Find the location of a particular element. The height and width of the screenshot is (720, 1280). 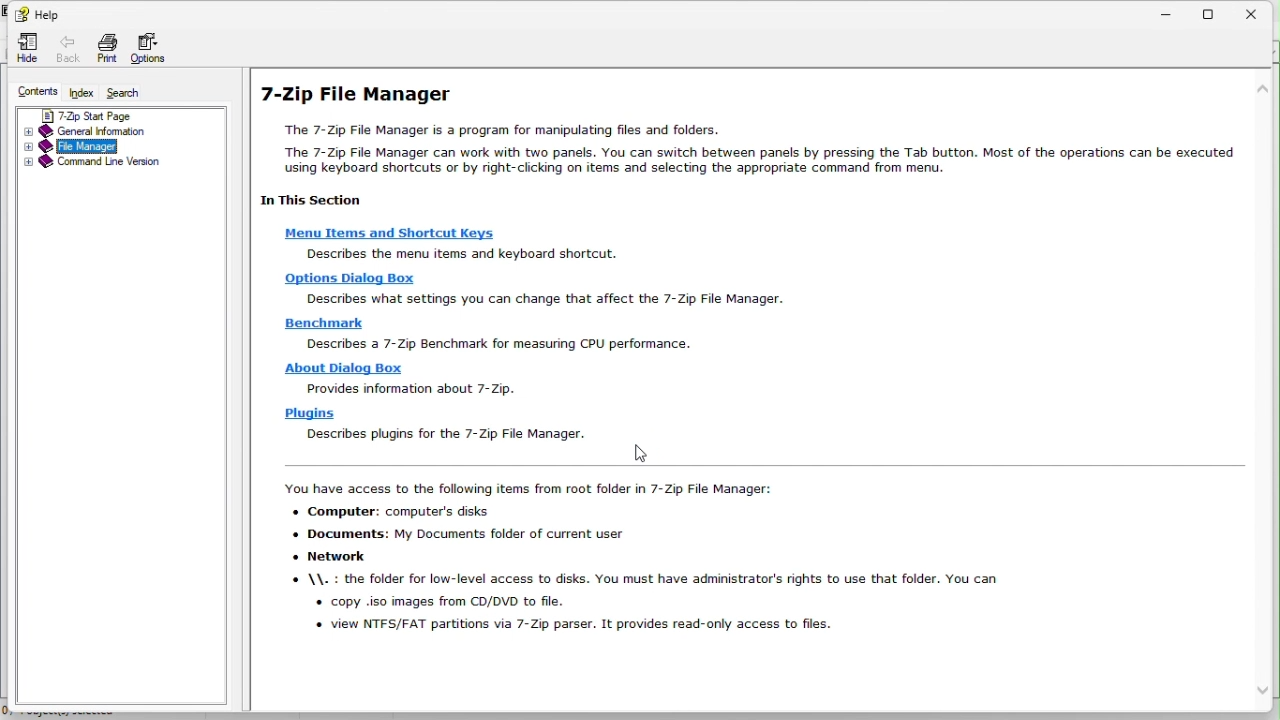

Print is located at coordinates (107, 50).